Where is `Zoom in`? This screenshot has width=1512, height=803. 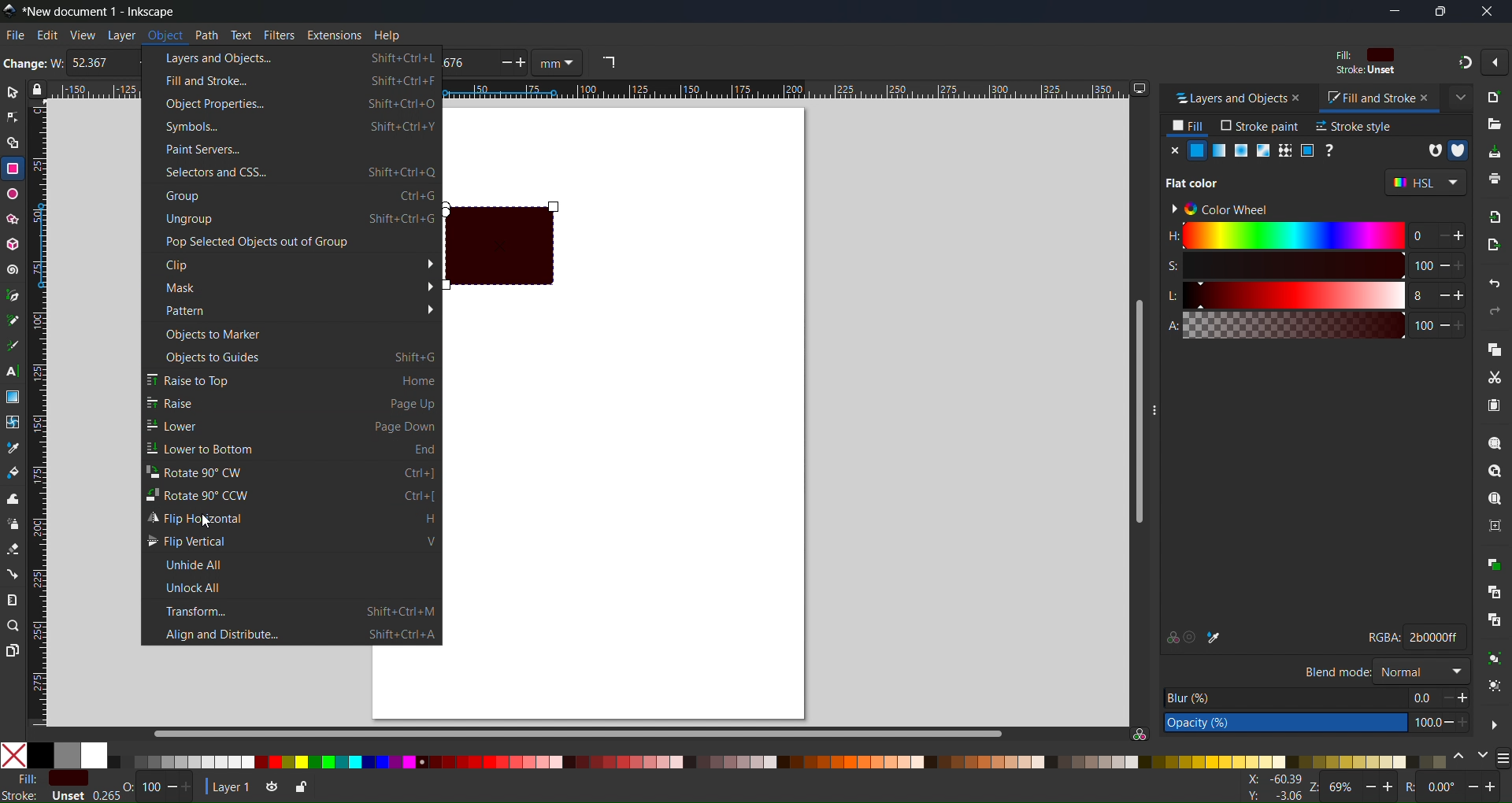 Zoom in is located at coordinates (1389, 788).